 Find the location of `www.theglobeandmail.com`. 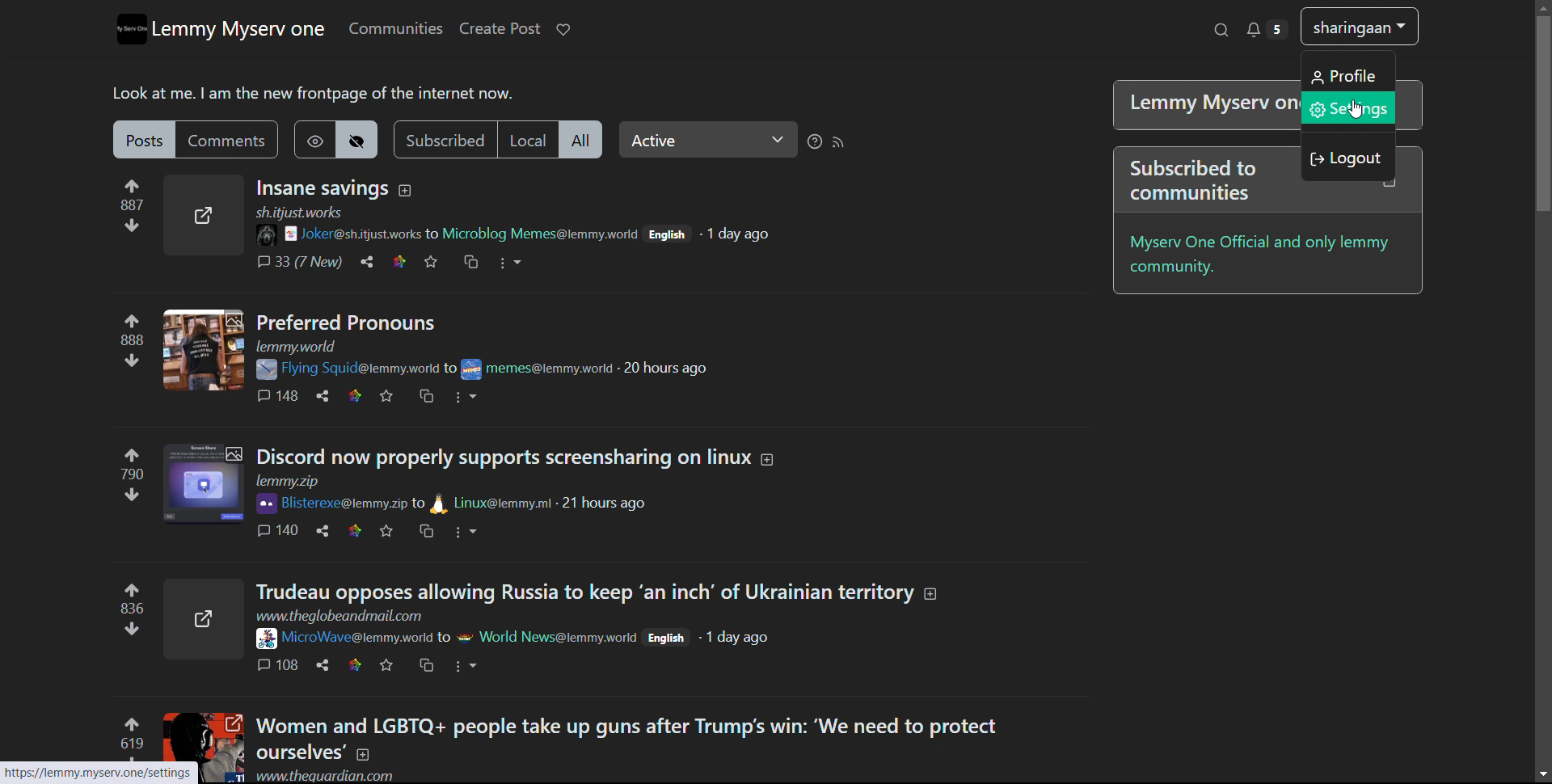

www.theglobeandmail.com is located at coordinates (339, 617).